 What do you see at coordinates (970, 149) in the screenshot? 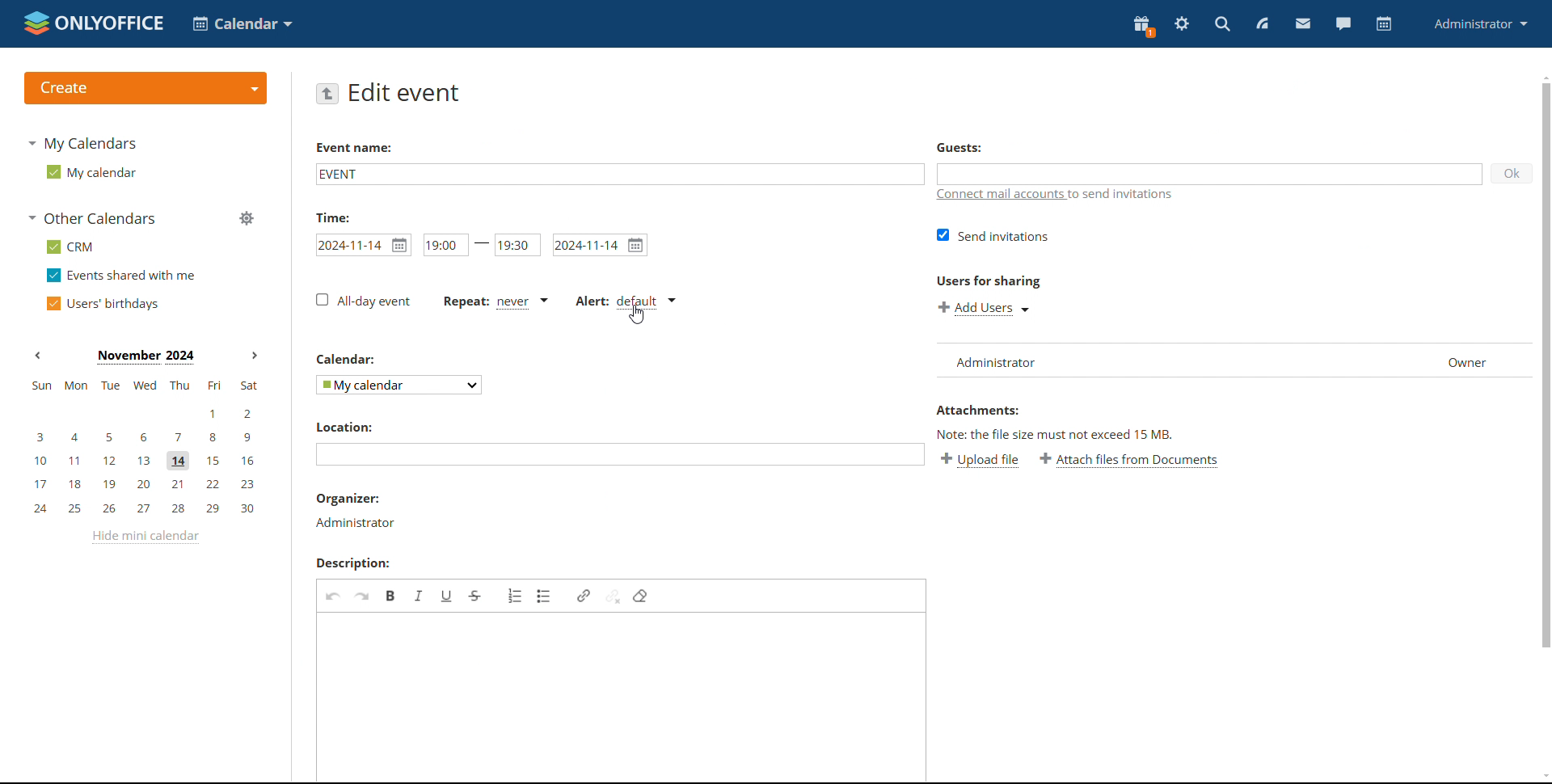
I see `guest:` at bounding box center [970, 149].